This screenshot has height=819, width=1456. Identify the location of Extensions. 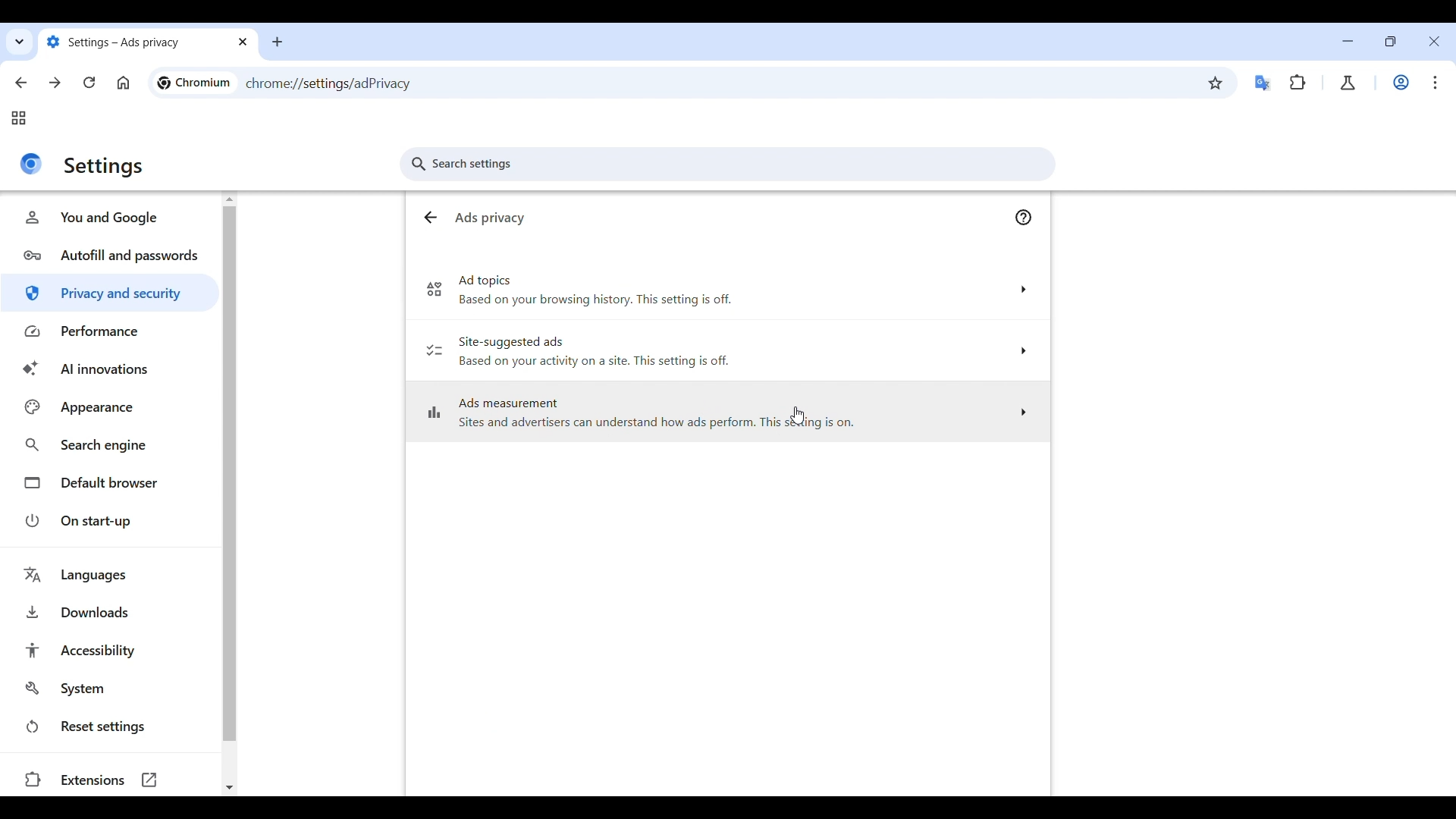
(1298, 82).